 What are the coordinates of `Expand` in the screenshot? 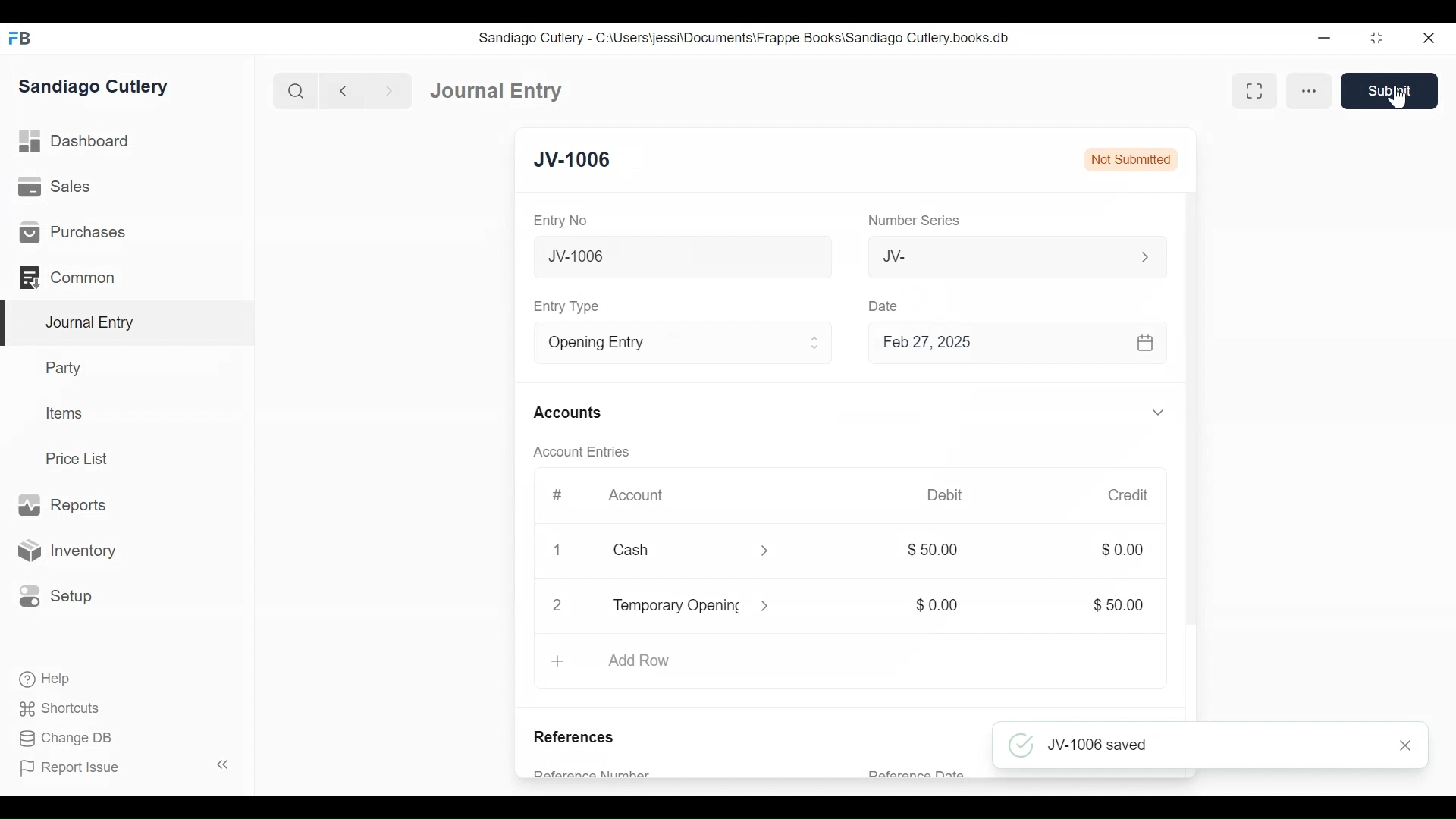 It's located at (1143, 256).